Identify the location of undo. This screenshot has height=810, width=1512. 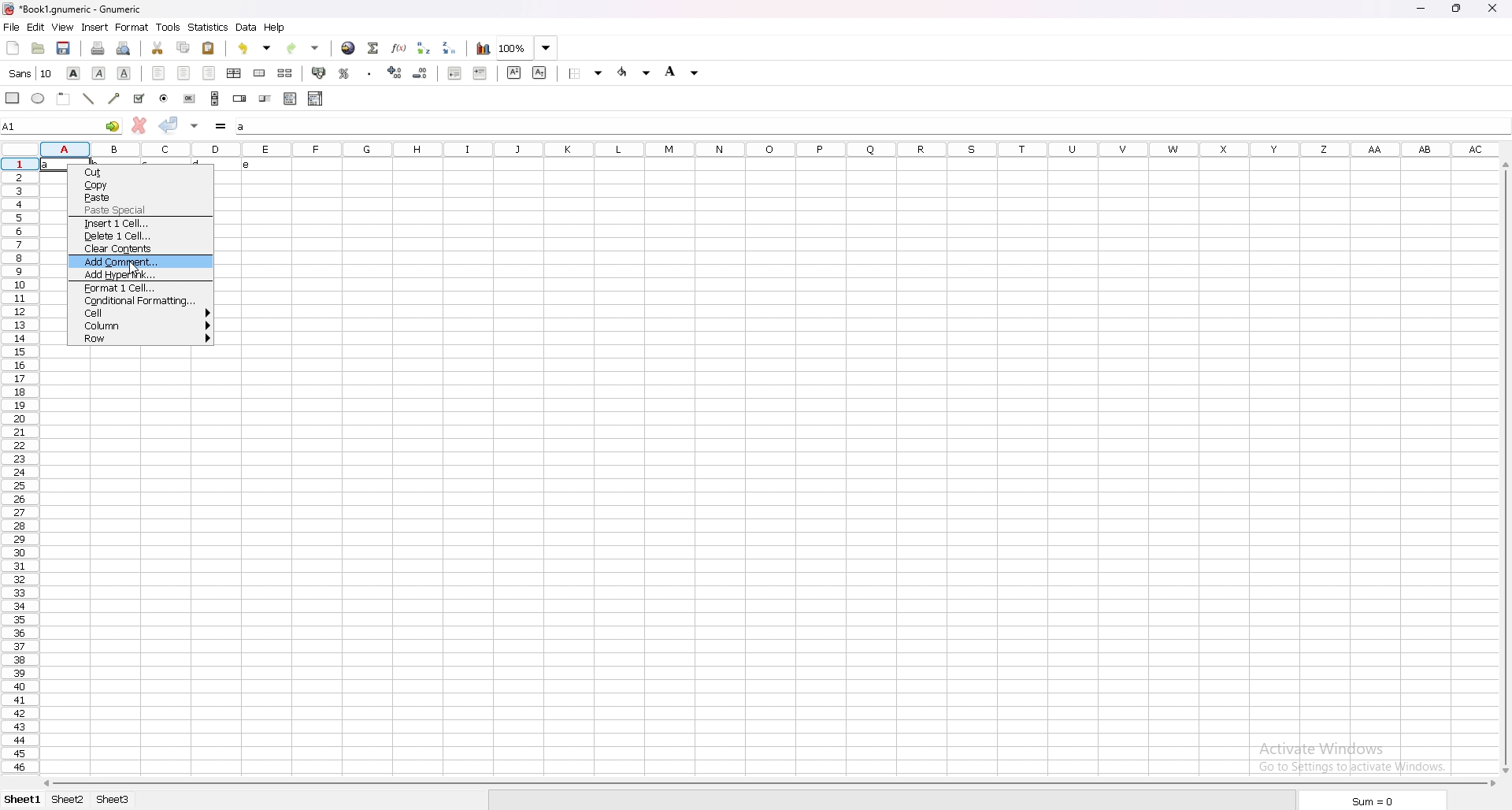
(254, 48).